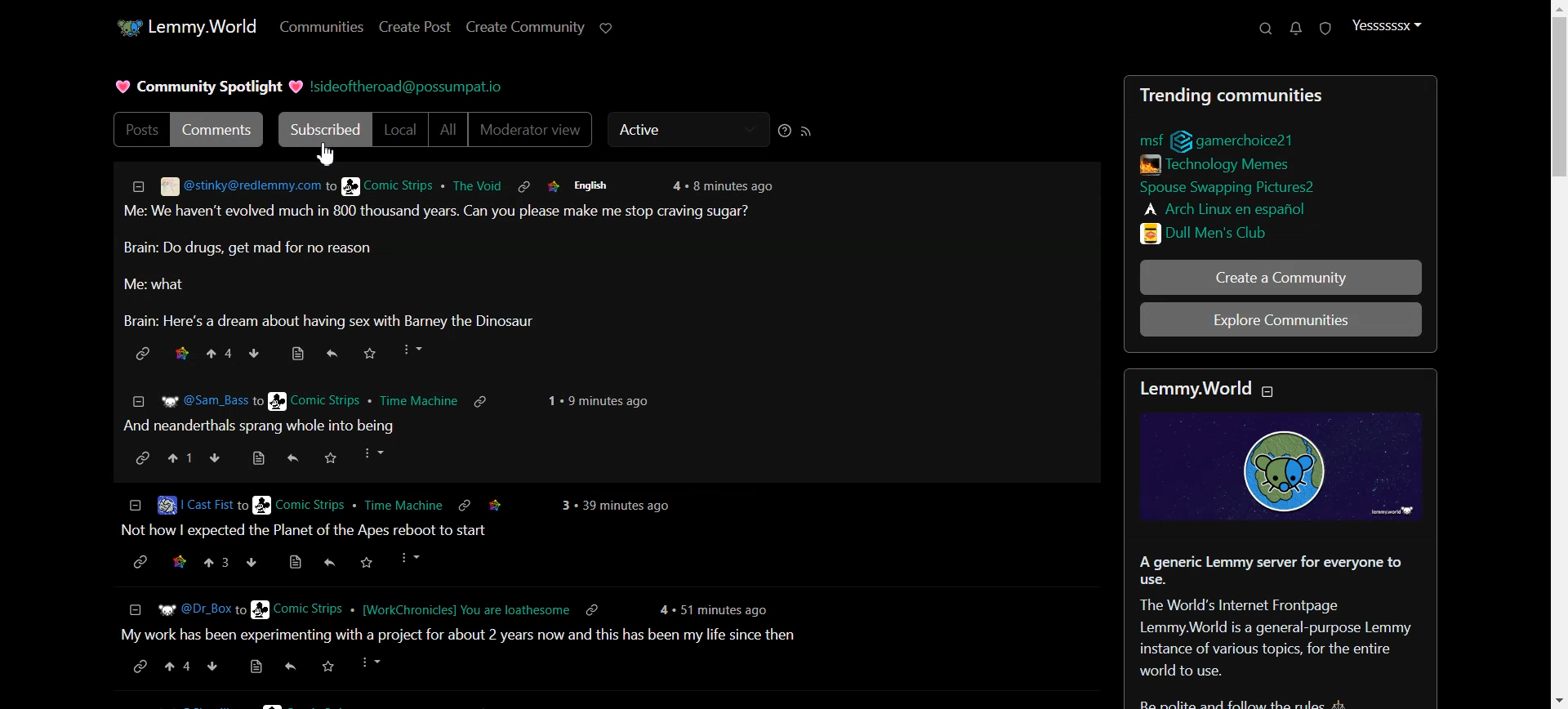 This screenshot has width=1568, height=709. I want to click on RSS, so click(807, 131).